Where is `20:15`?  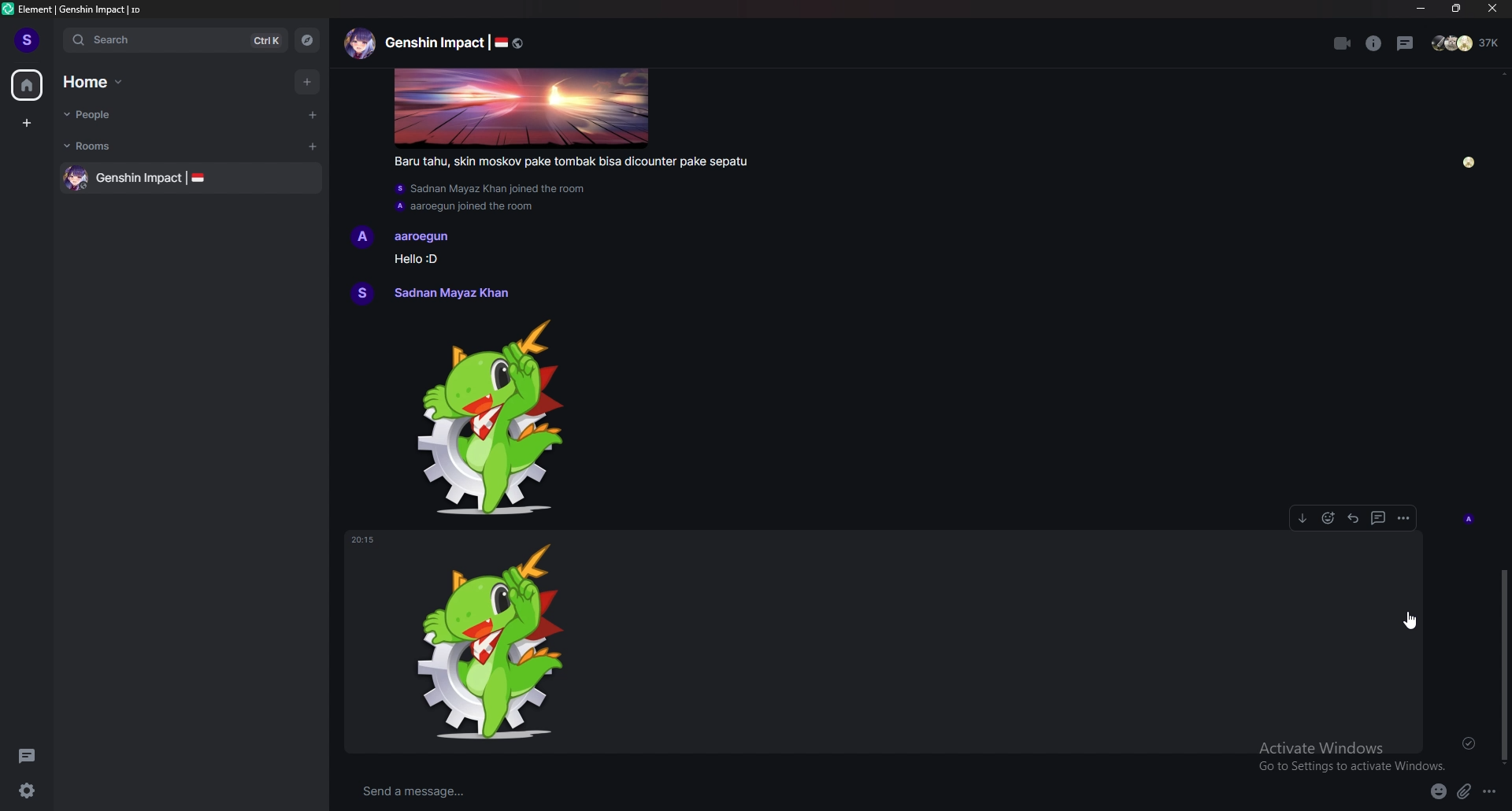
20:15 is located at coordinates (362, 540).